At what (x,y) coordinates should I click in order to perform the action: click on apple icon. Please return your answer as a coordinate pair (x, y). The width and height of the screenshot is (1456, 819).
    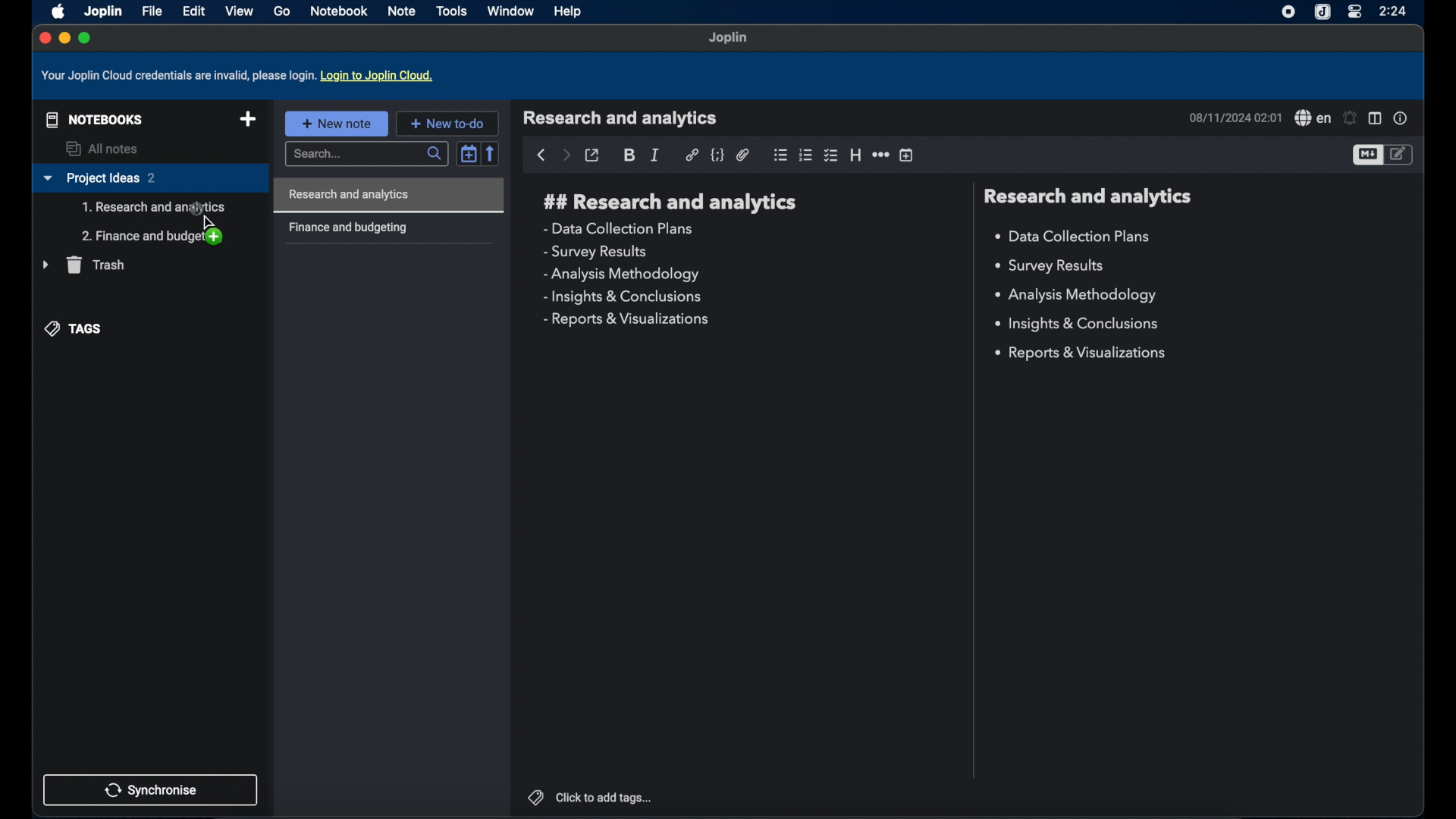
    Looking at the image, I should click on (55, 11).